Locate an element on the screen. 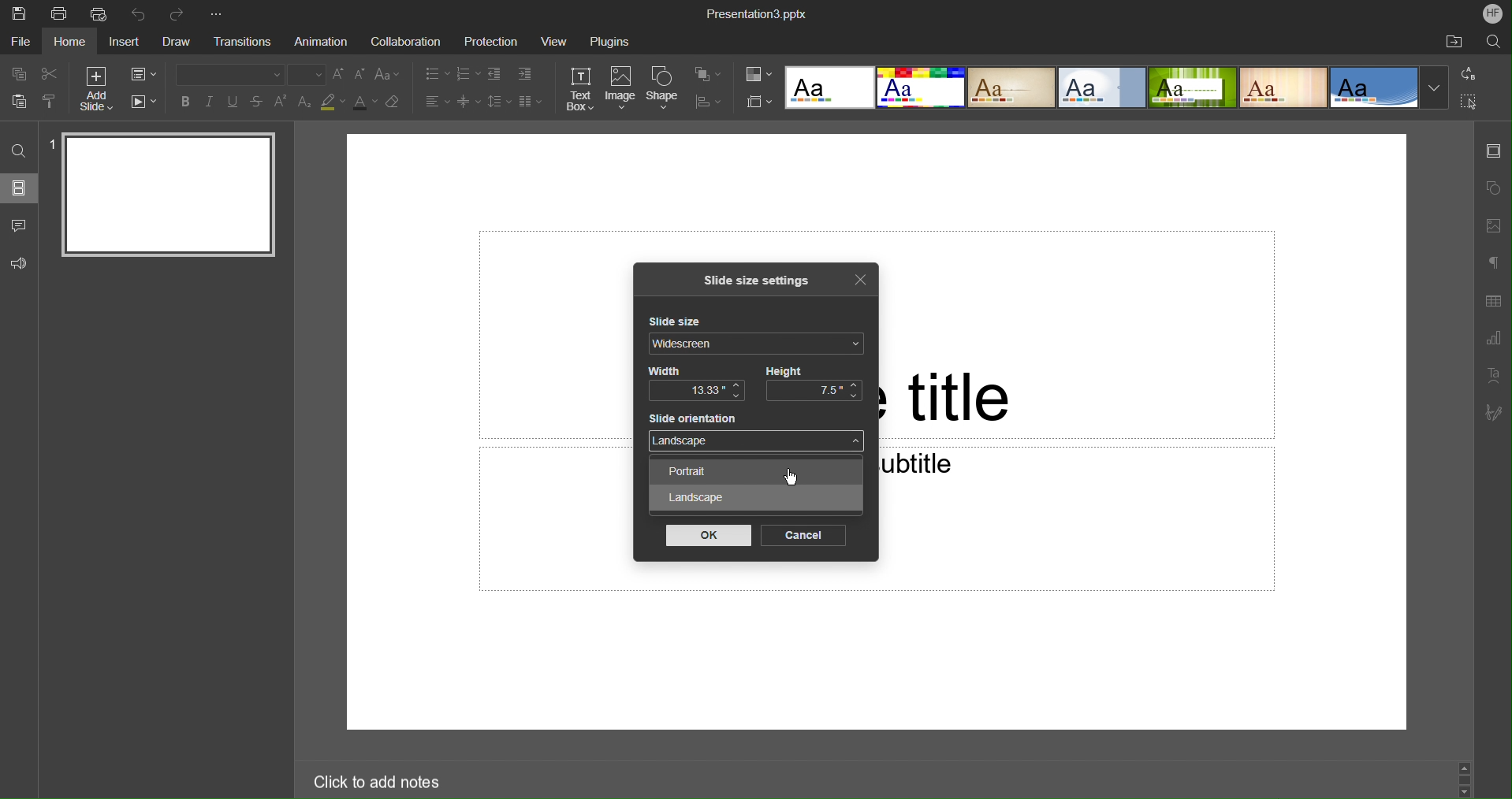 The height and width of the screenshot is (799, 1512). Landscape is located at coordinates (754, 499).